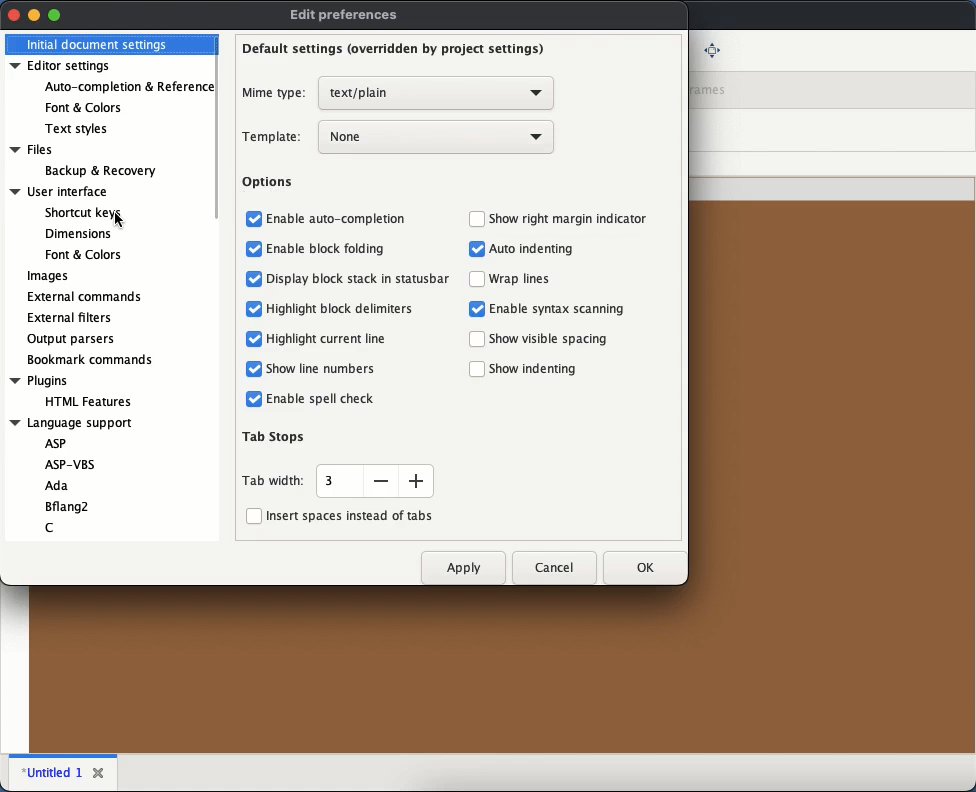 The image size is (976, 792). Describe the element at coordinates (77, 424) in the screenshot. I see `language support` at that location.